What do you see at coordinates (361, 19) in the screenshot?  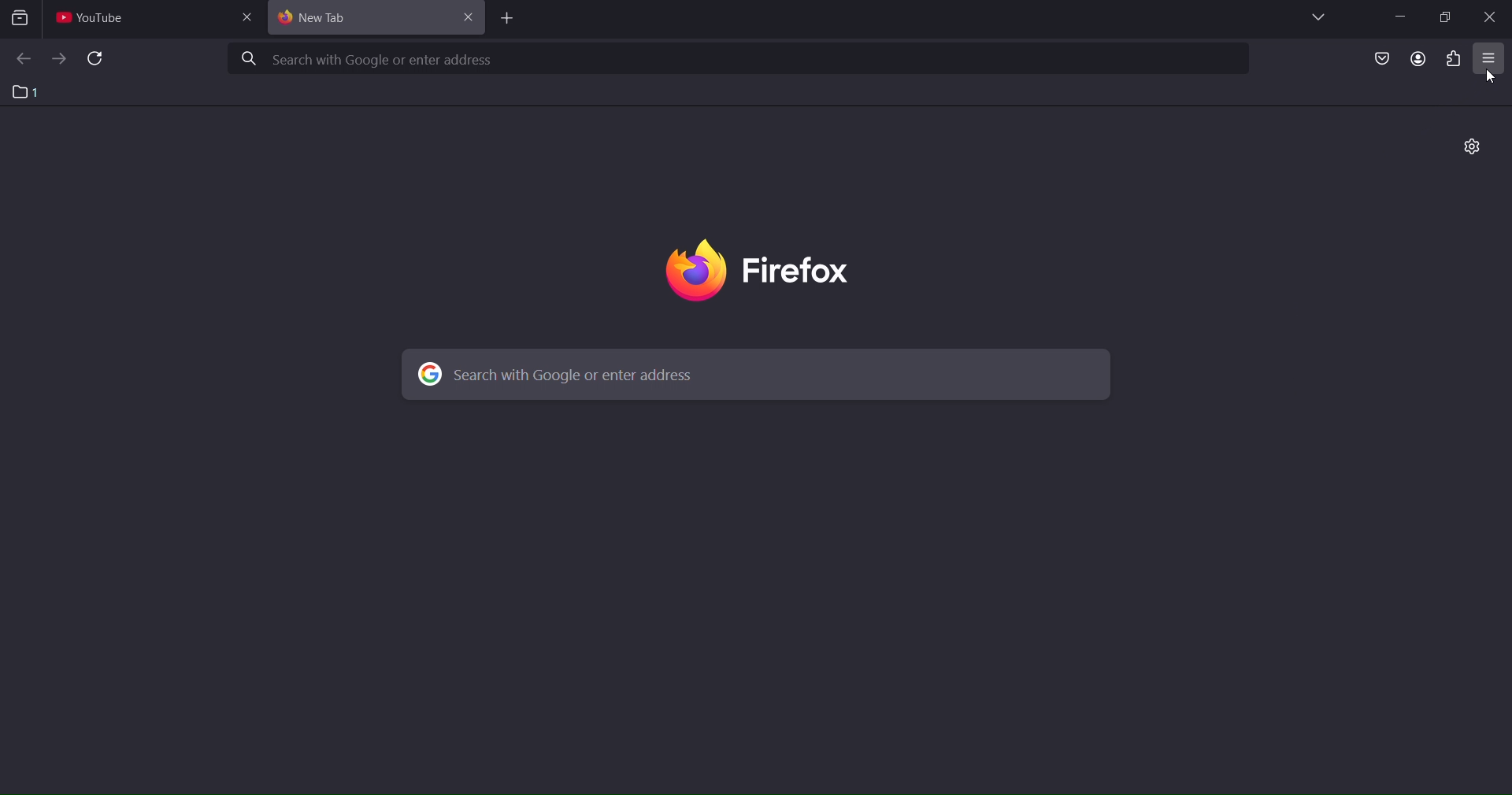 I see `new tab` at bounding box center [361, 19].